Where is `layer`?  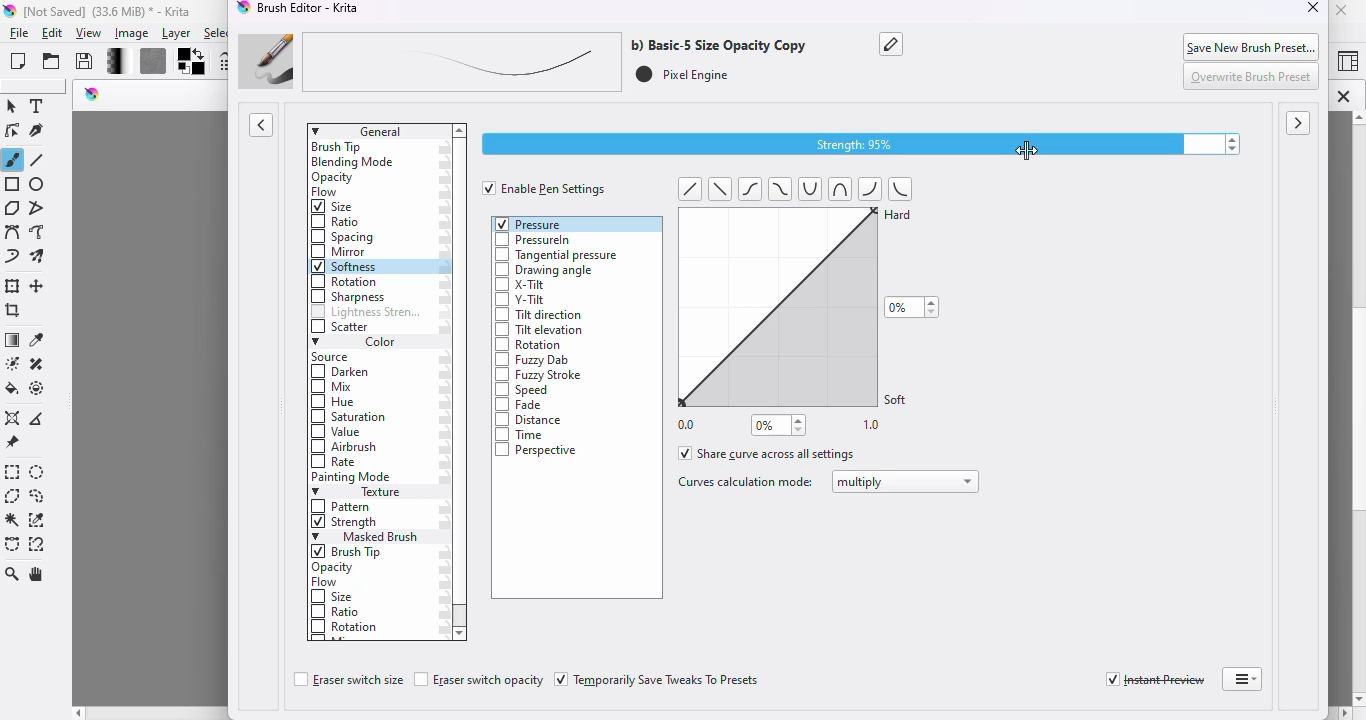 layer is located at coordinates (176, 34).